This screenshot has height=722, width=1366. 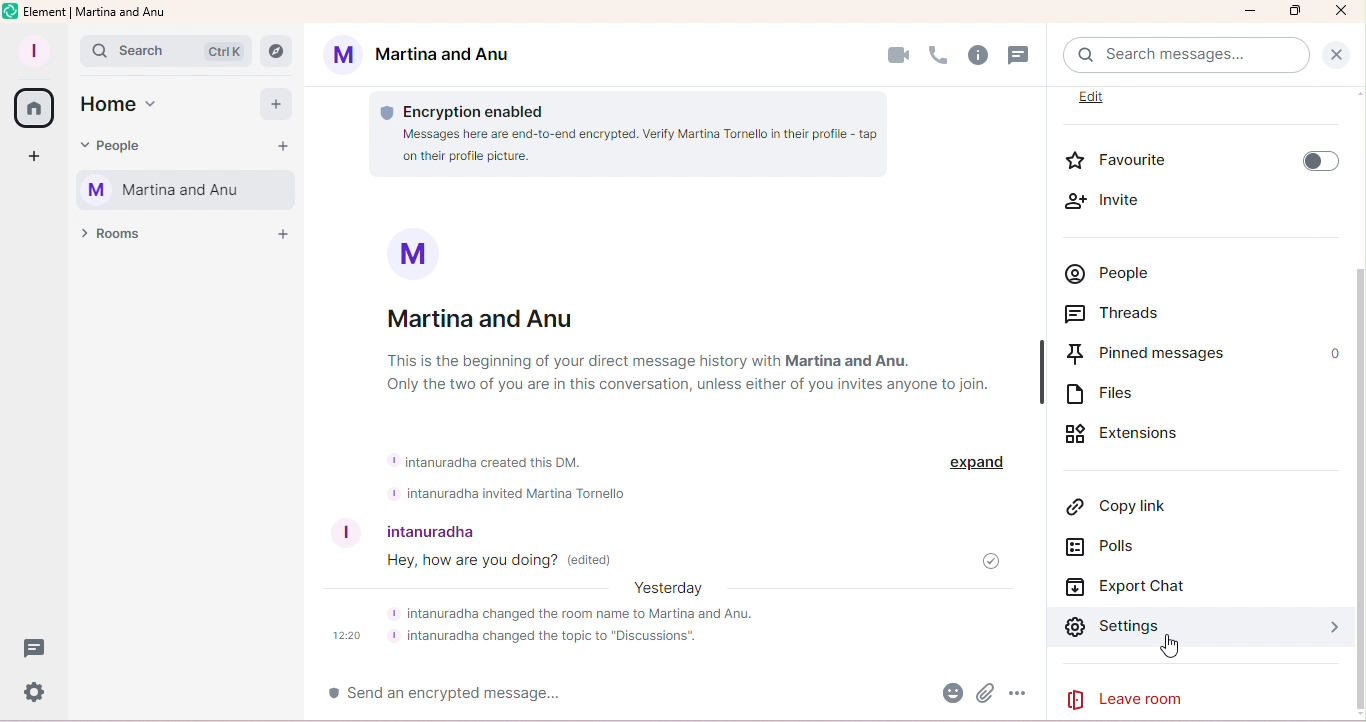 What do you see at coordinates (1171, 648) in the screenshot?
I see `Cursor` at bounding box center [1171, 648].